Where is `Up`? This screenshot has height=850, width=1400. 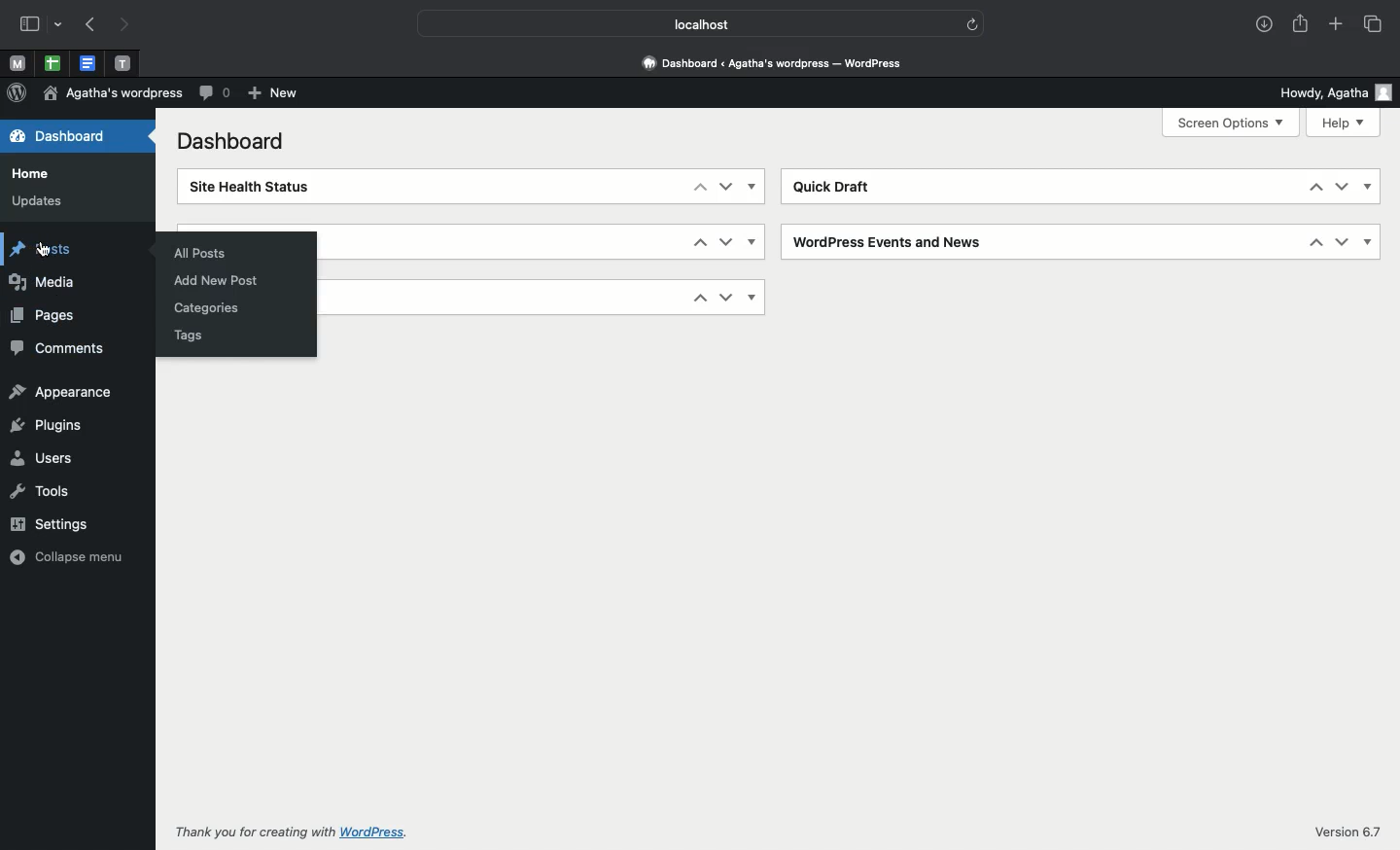 Up is located at coordinates (1316, 187).